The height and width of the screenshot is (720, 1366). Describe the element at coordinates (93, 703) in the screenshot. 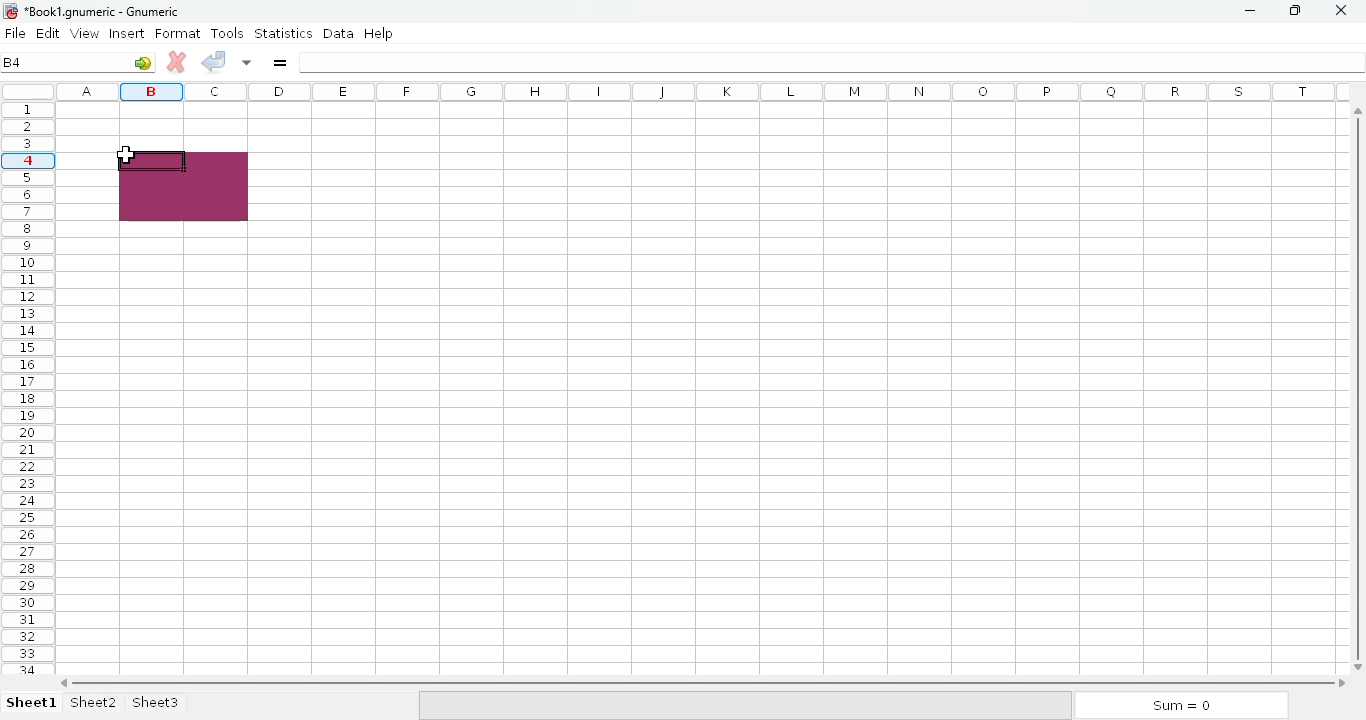

I see `sheet2` at that location.